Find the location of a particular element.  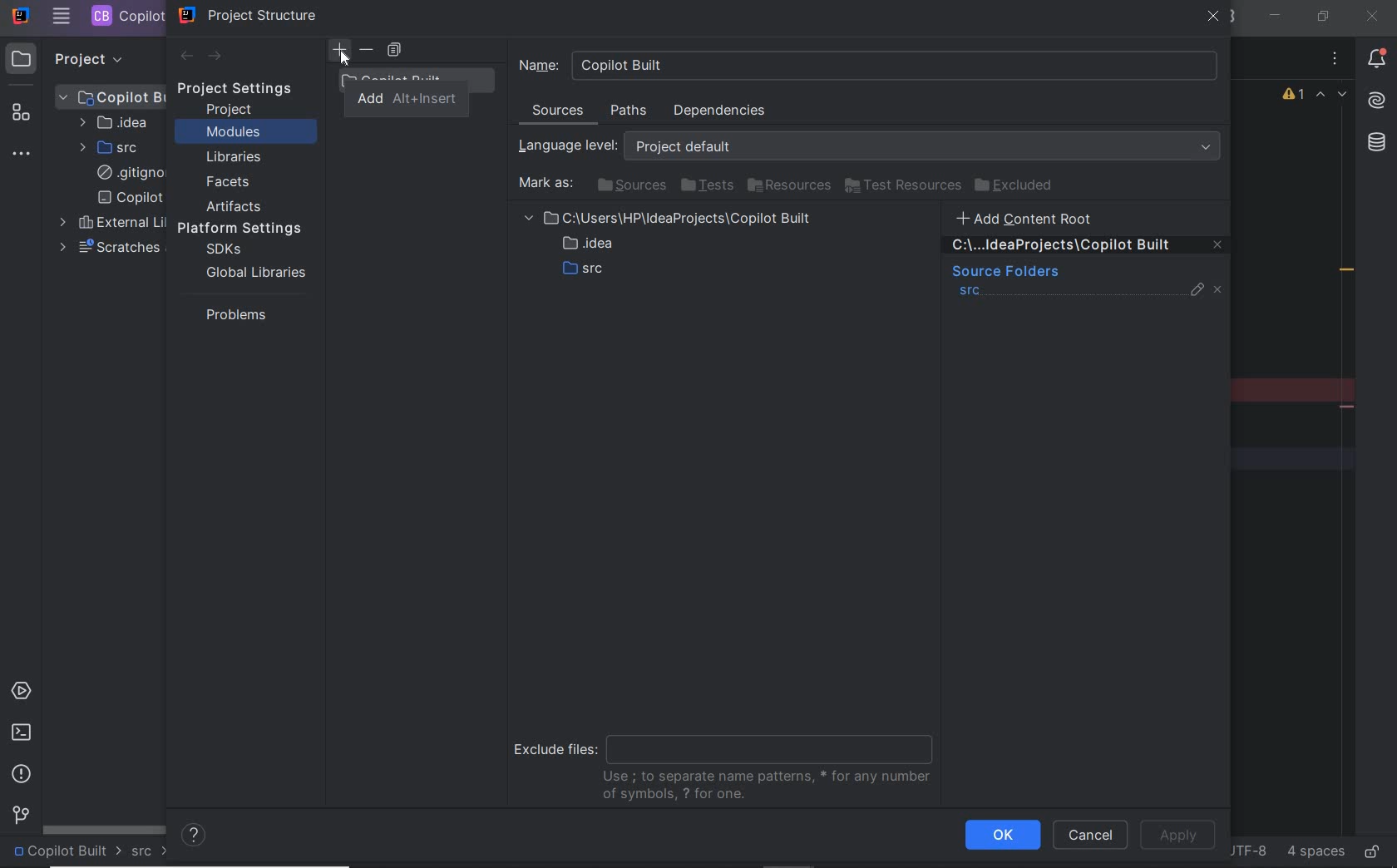

SYSTEM NAME is located at coordinates (19, 17).